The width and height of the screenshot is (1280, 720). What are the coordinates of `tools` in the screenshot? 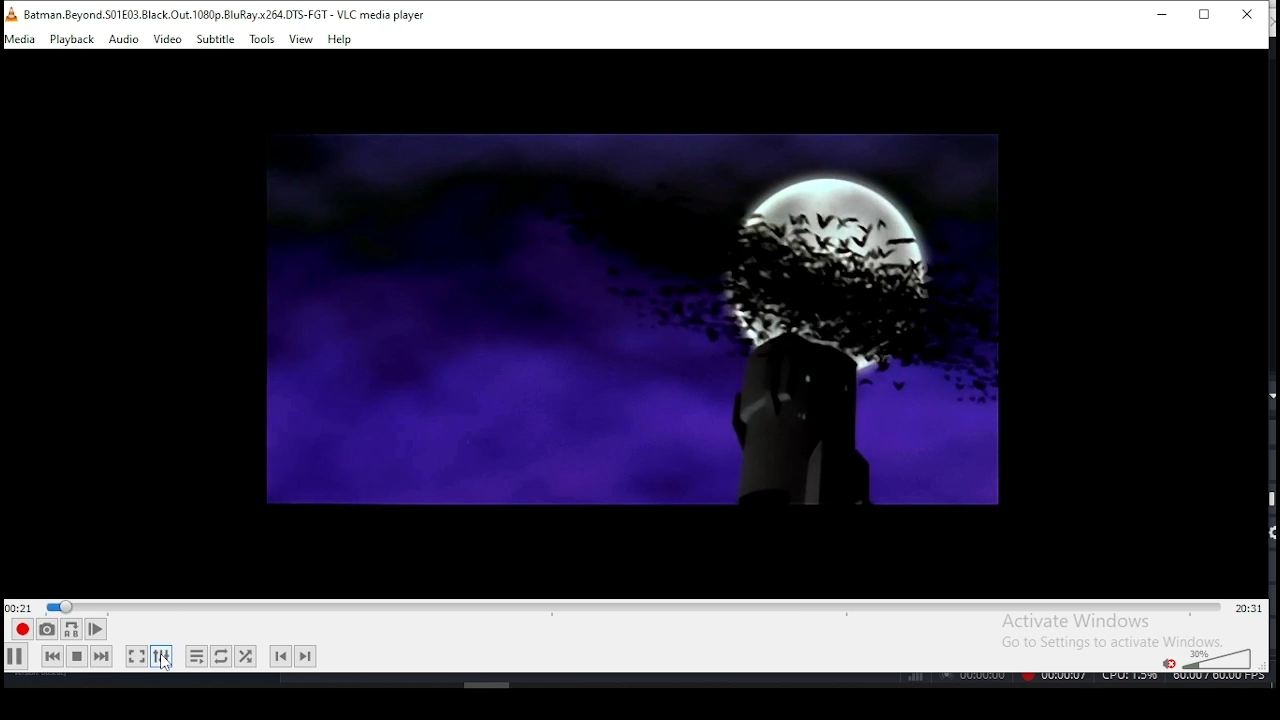 It's located at (262, 39).